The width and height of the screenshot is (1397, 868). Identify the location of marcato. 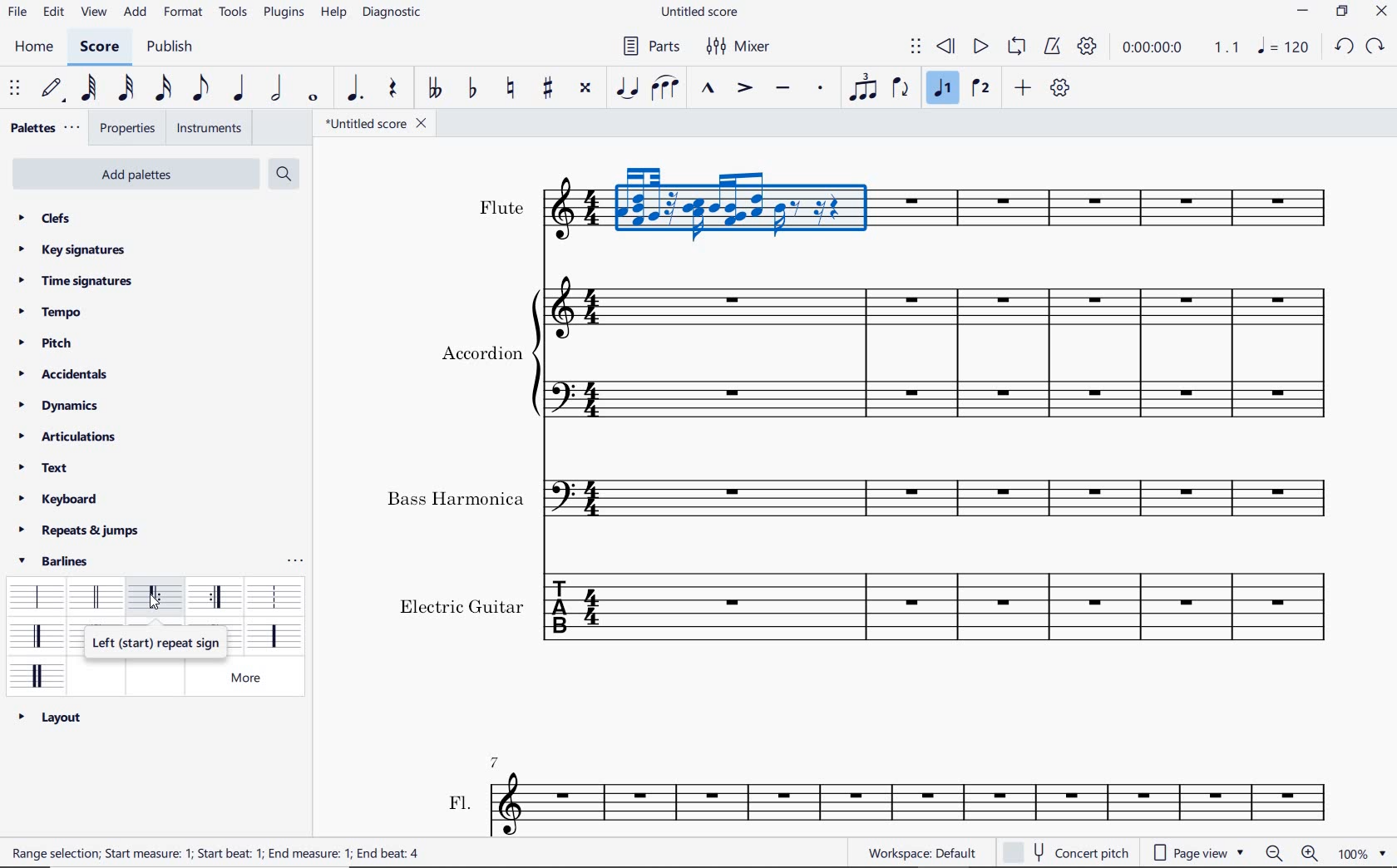
(707, 89).